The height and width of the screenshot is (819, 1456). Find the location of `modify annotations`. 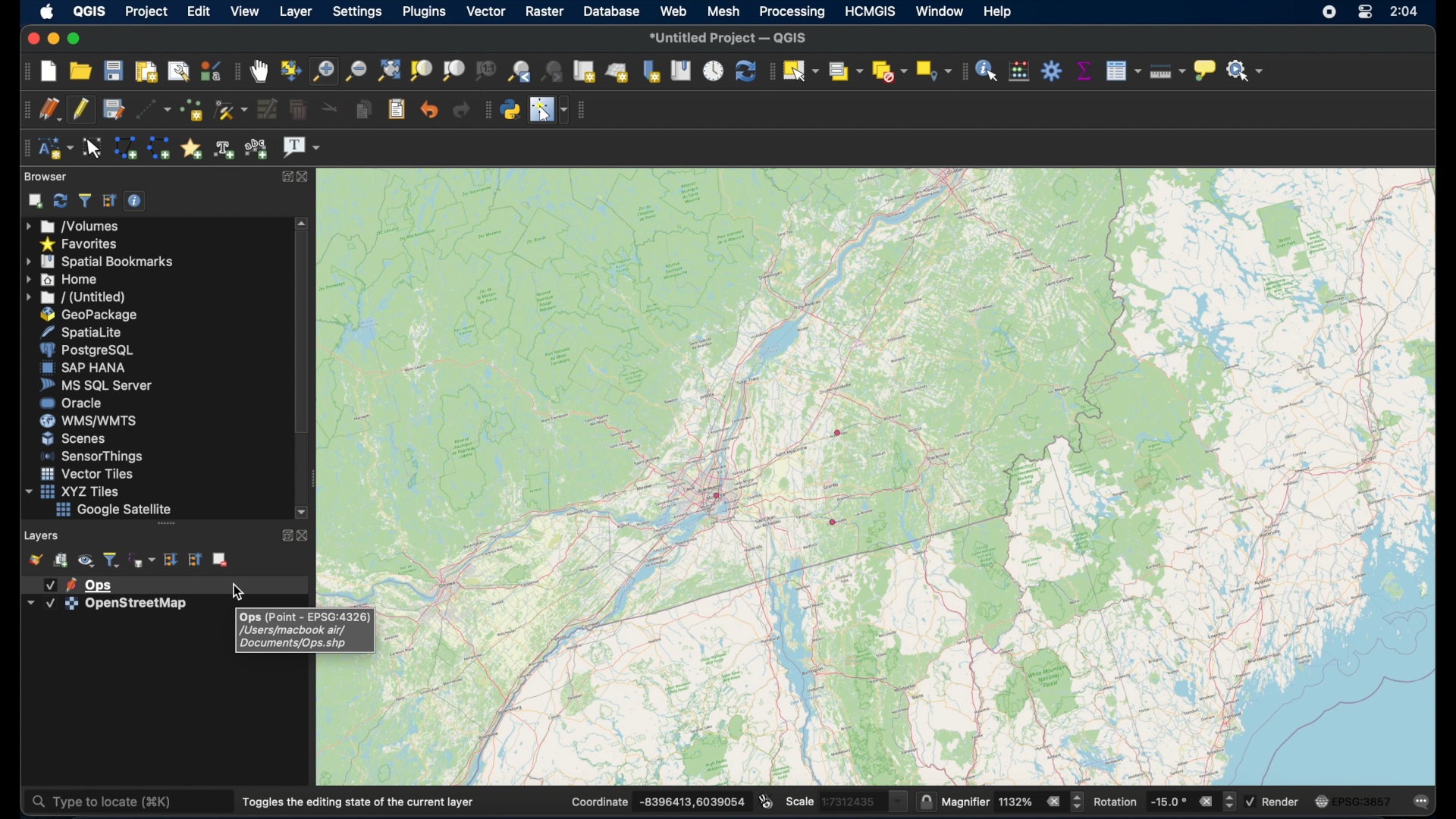

modify annotations is located at coordinates (93, 149).